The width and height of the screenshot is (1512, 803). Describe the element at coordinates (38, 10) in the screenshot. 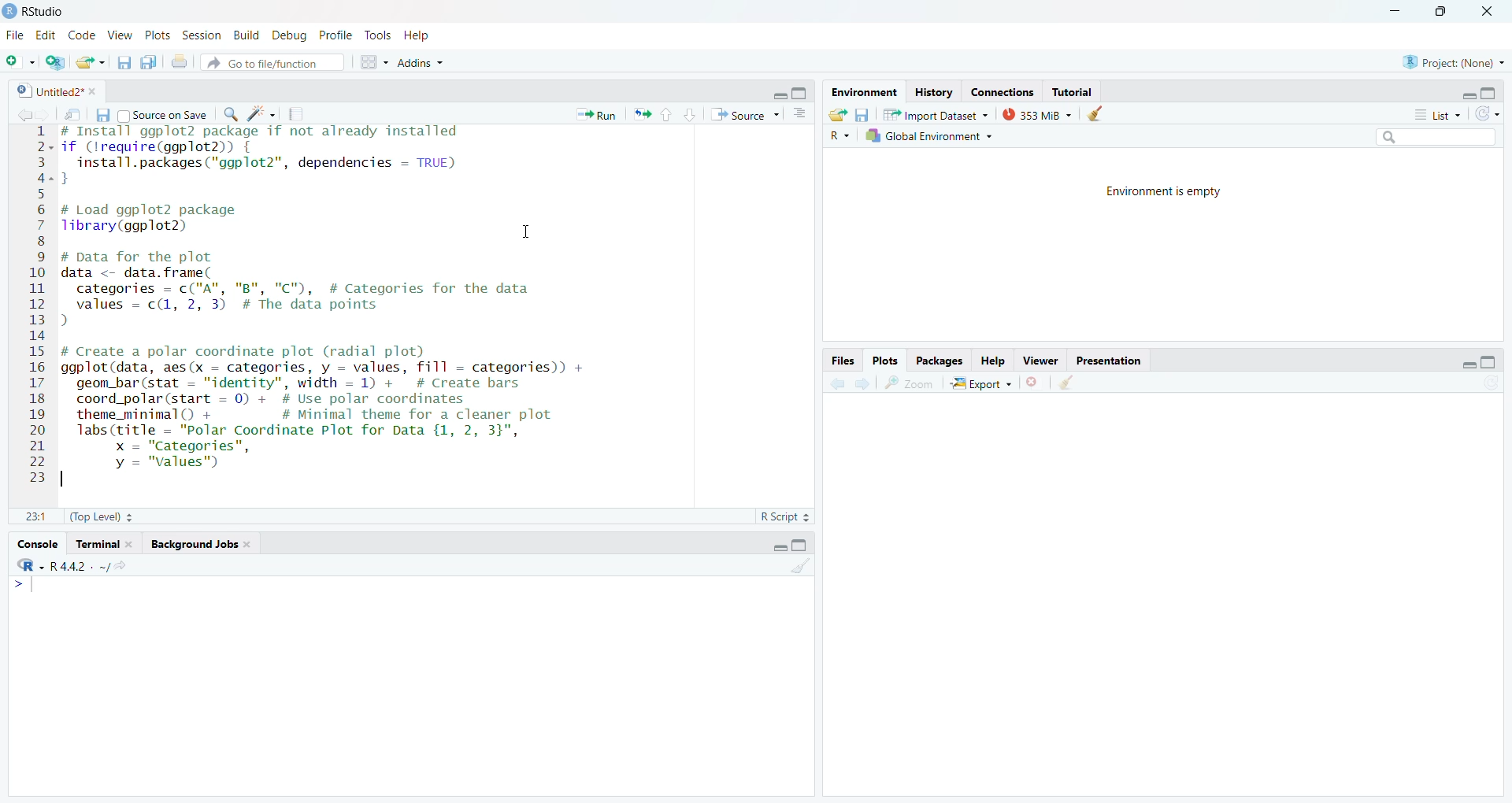

I see ` RStudio` at that location.